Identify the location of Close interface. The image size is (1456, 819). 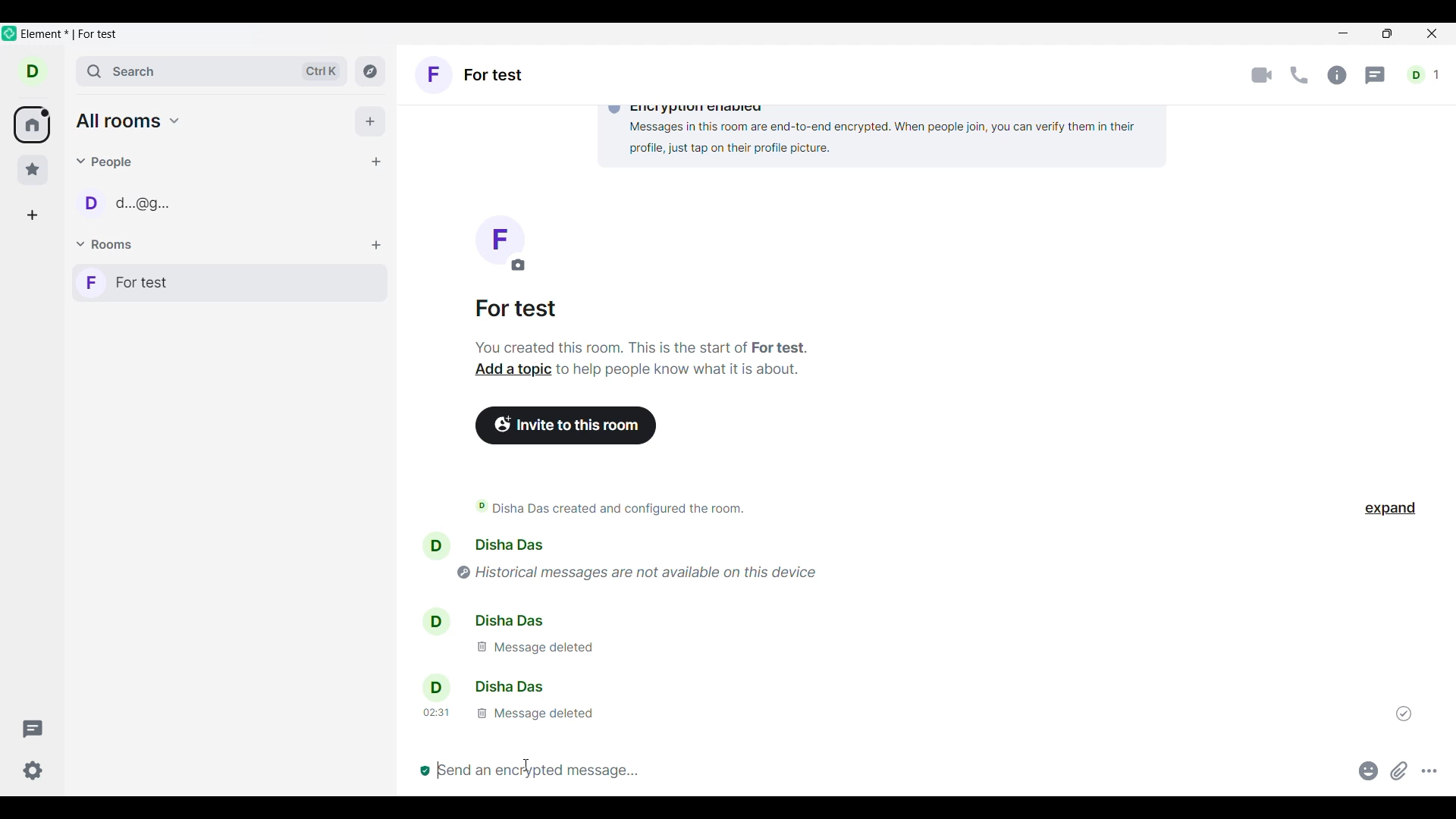
(1433, 35).